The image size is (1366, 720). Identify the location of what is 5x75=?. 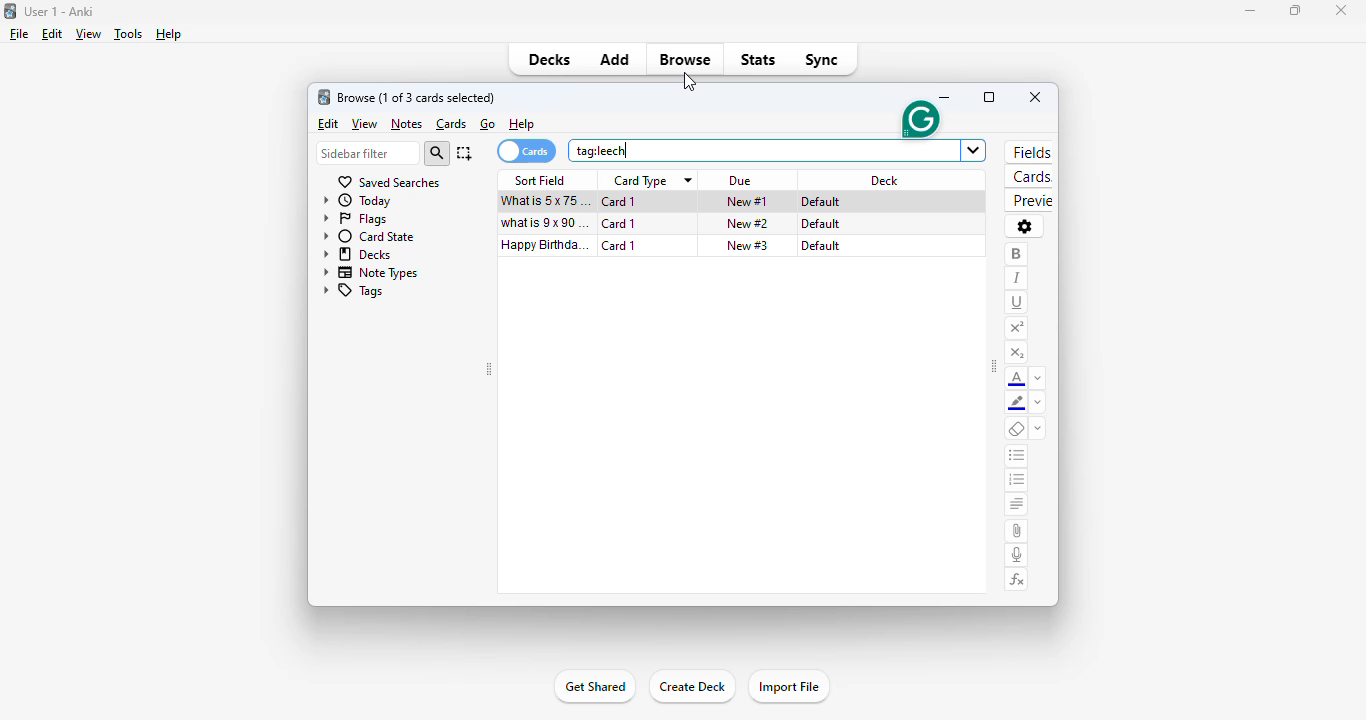
(545, 201).